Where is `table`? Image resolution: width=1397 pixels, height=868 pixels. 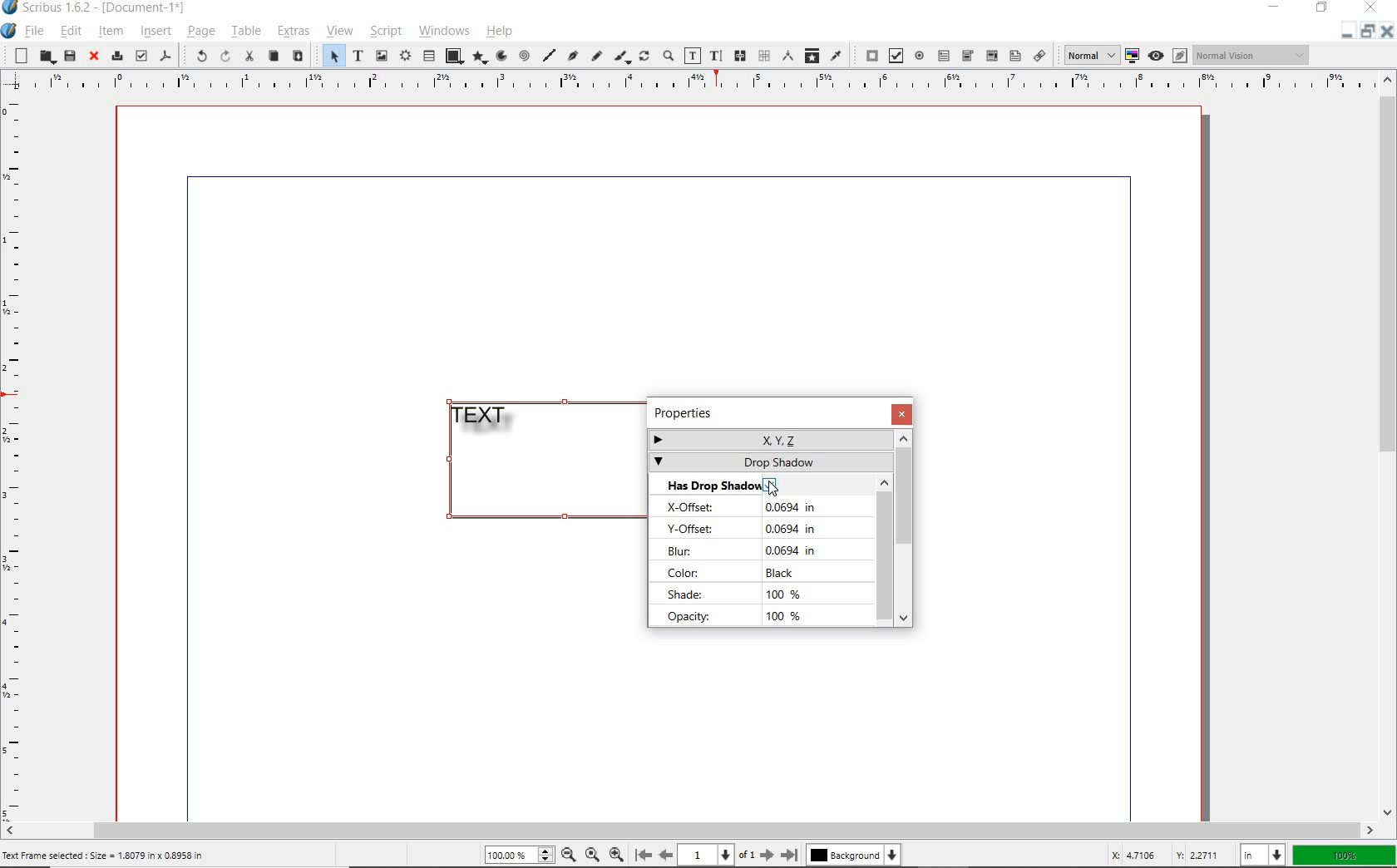 table is located at coordinates (428, 57).